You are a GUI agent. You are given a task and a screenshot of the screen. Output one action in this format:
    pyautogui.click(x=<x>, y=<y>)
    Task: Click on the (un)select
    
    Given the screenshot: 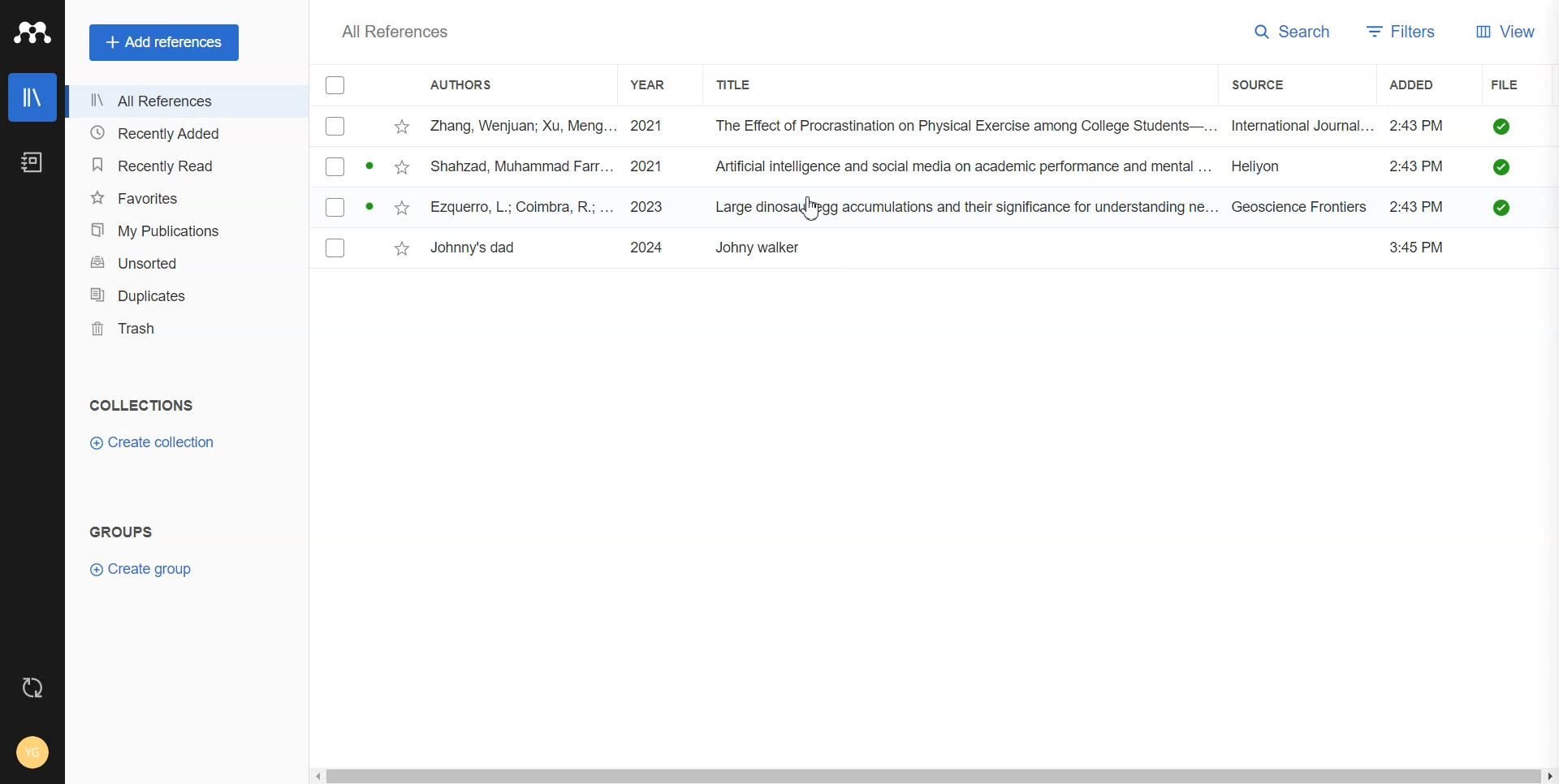 What is the action you would take?
    pyautogui.click(x=335, y=166)
    